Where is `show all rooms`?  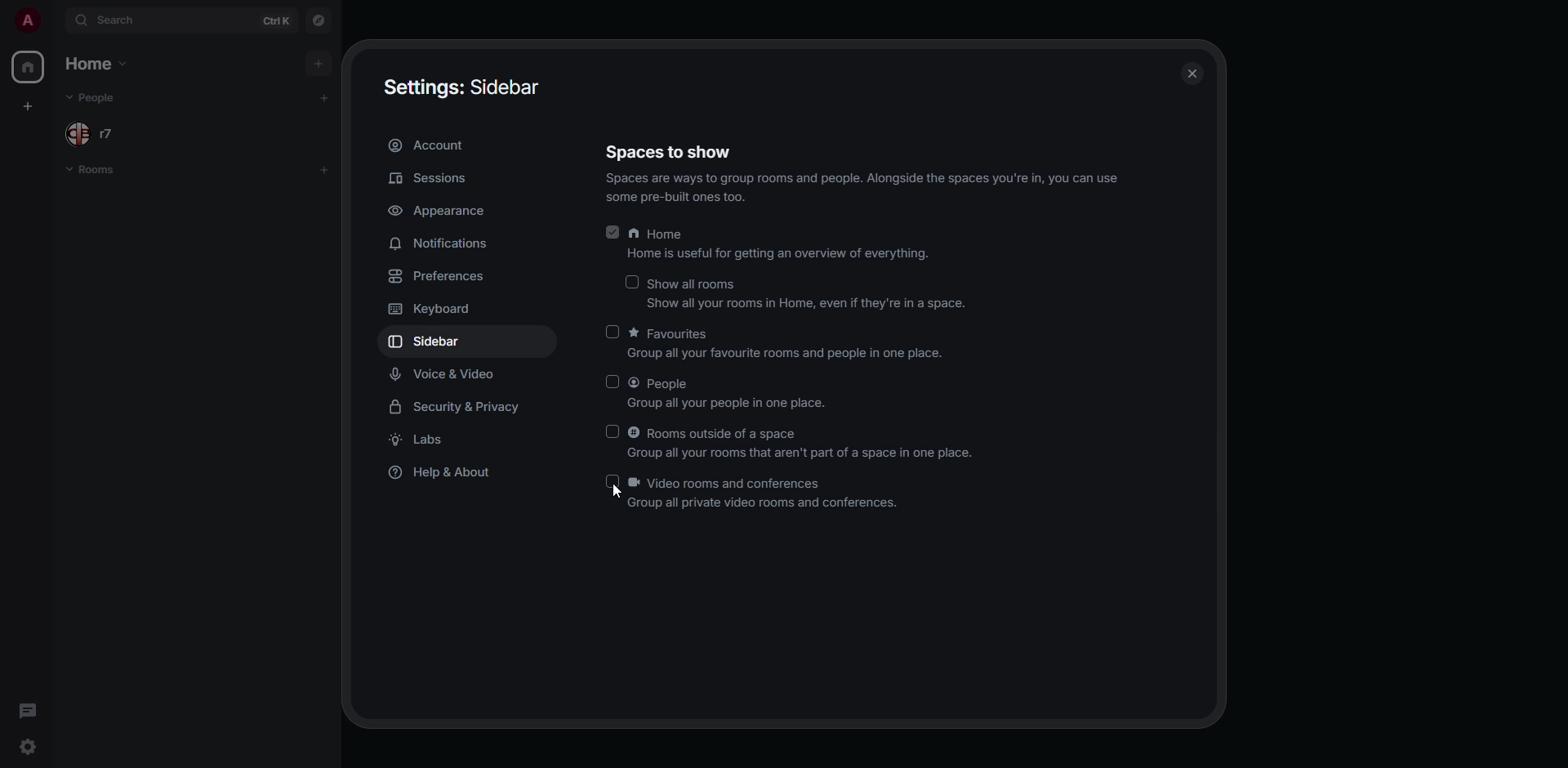
show all rooms is located at coordinates (809, 294).